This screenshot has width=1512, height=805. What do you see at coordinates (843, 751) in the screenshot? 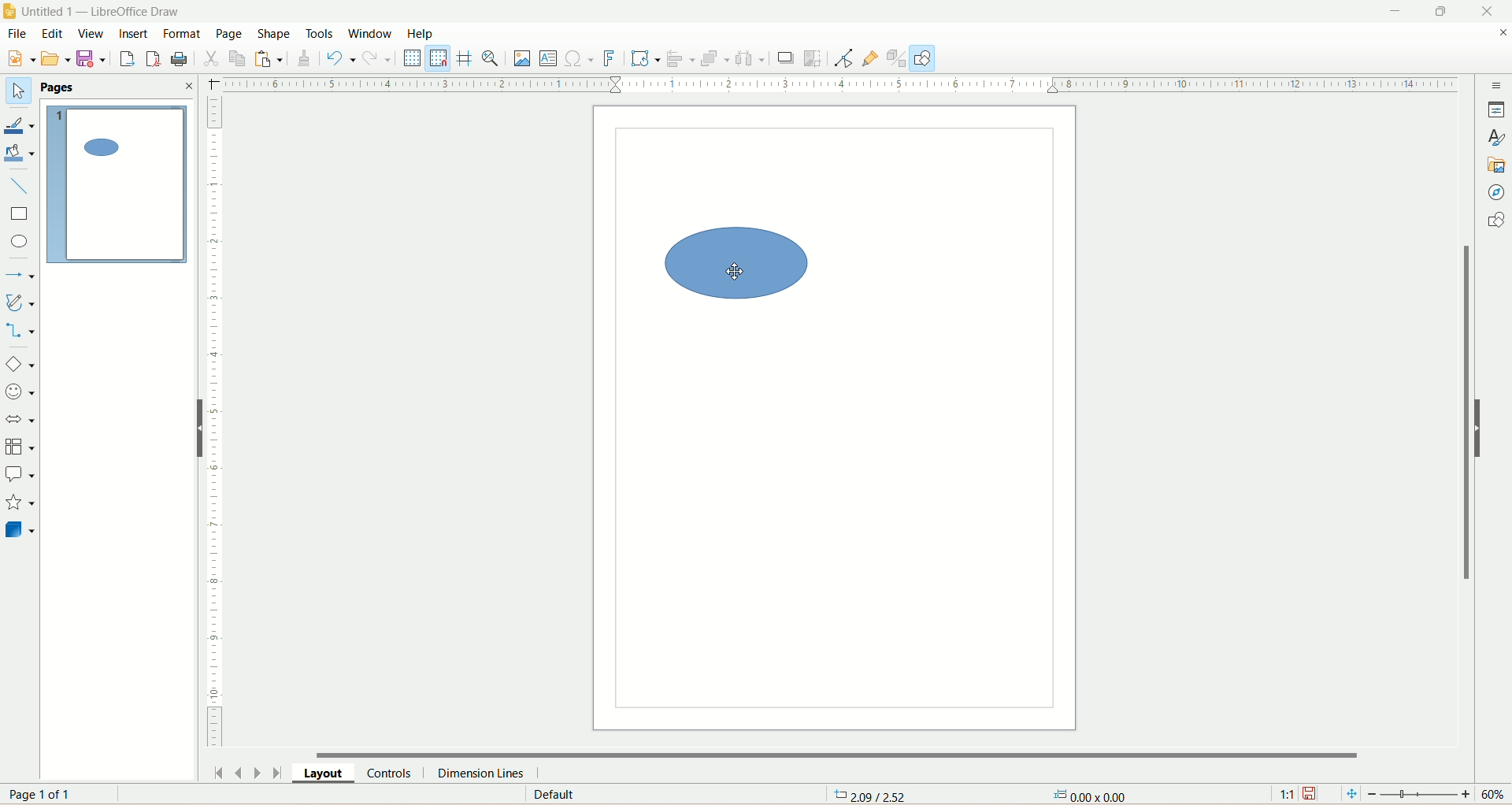
I see `horizontal scroll bar` at bounding box center [843, 751].